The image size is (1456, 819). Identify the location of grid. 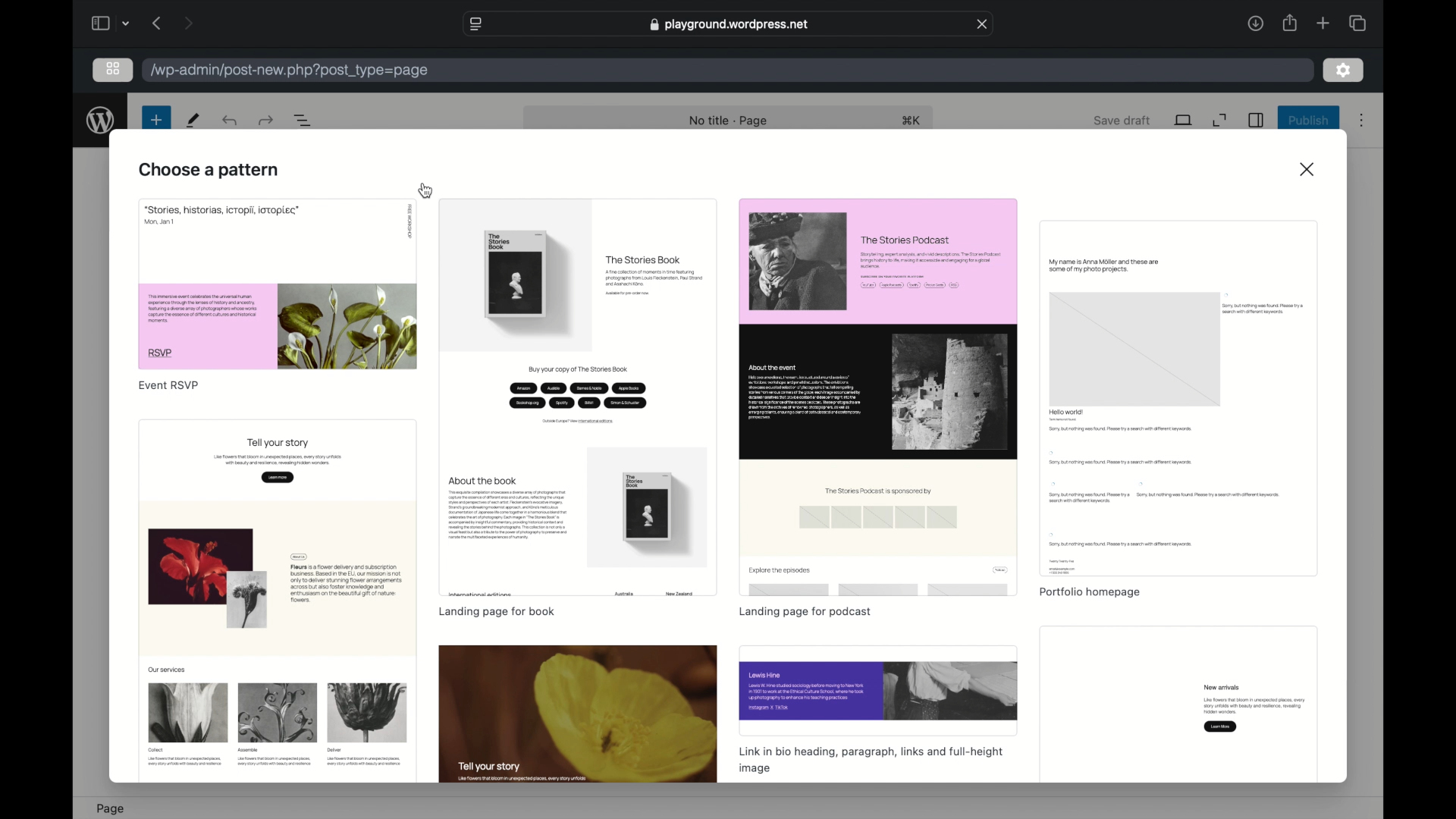
(112, 68).